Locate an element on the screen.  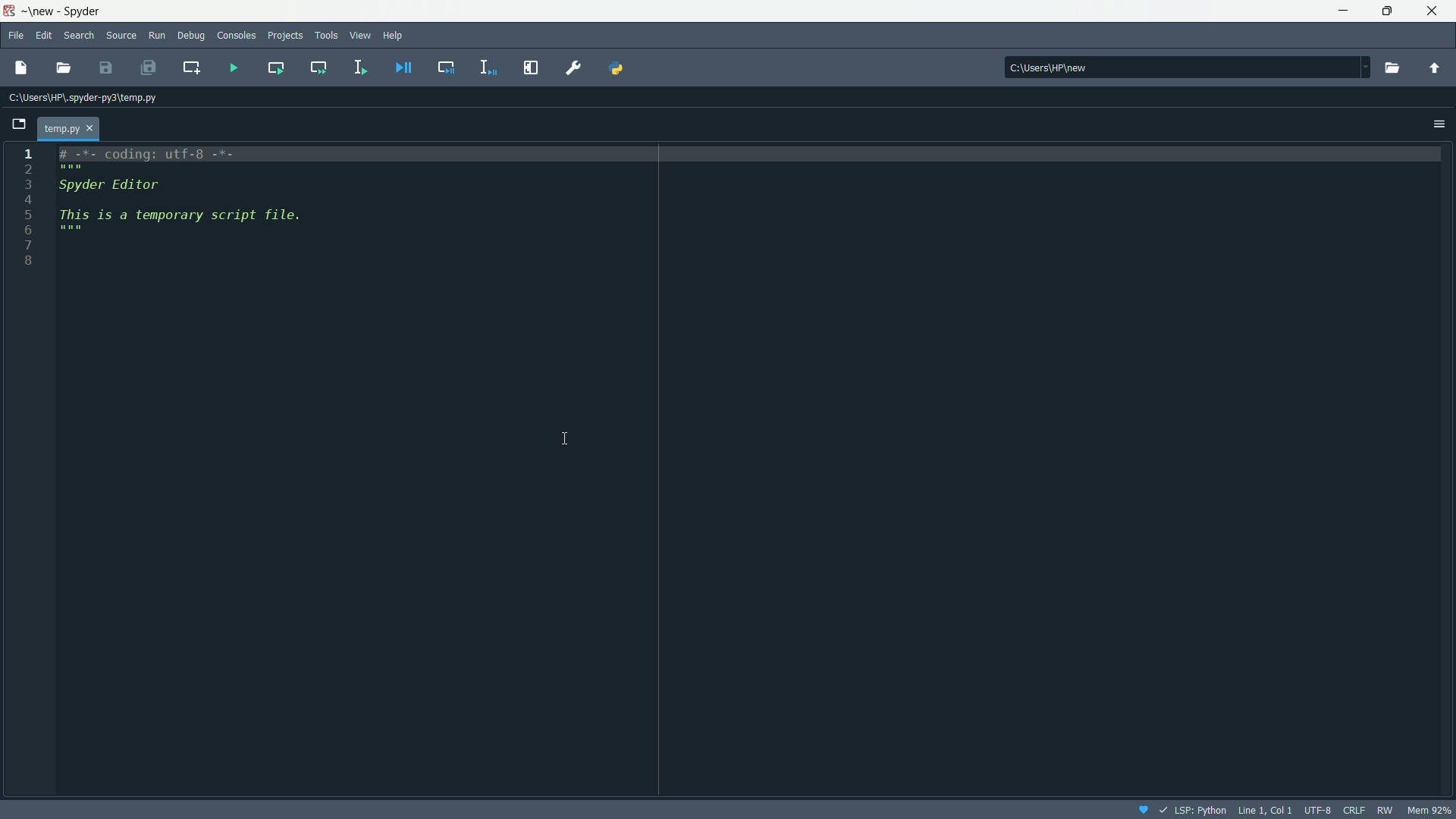
Save file (Ctrl + S) is located at coordinates (107, 68).